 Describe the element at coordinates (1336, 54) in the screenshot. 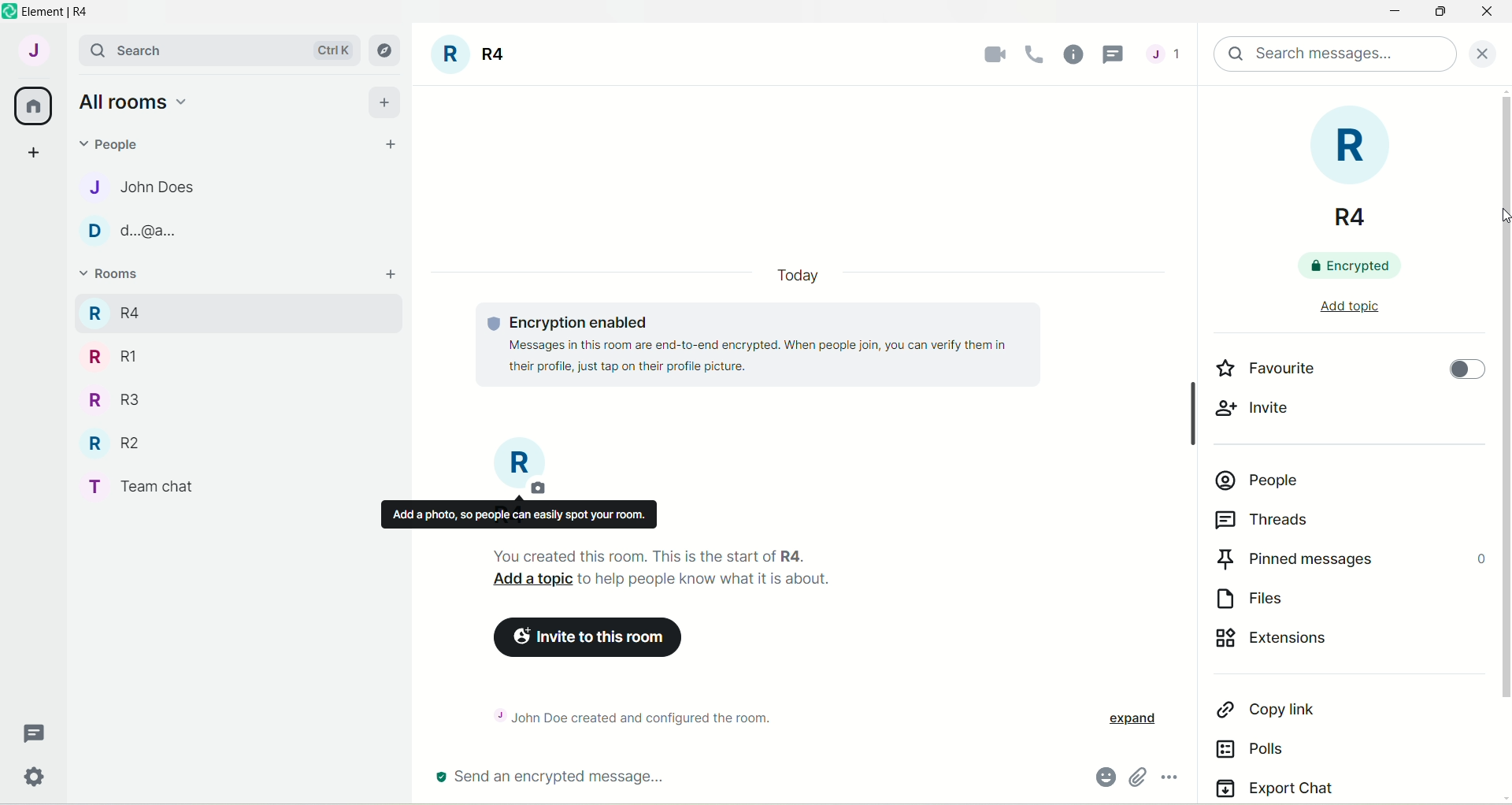

I see `search message` at that location.